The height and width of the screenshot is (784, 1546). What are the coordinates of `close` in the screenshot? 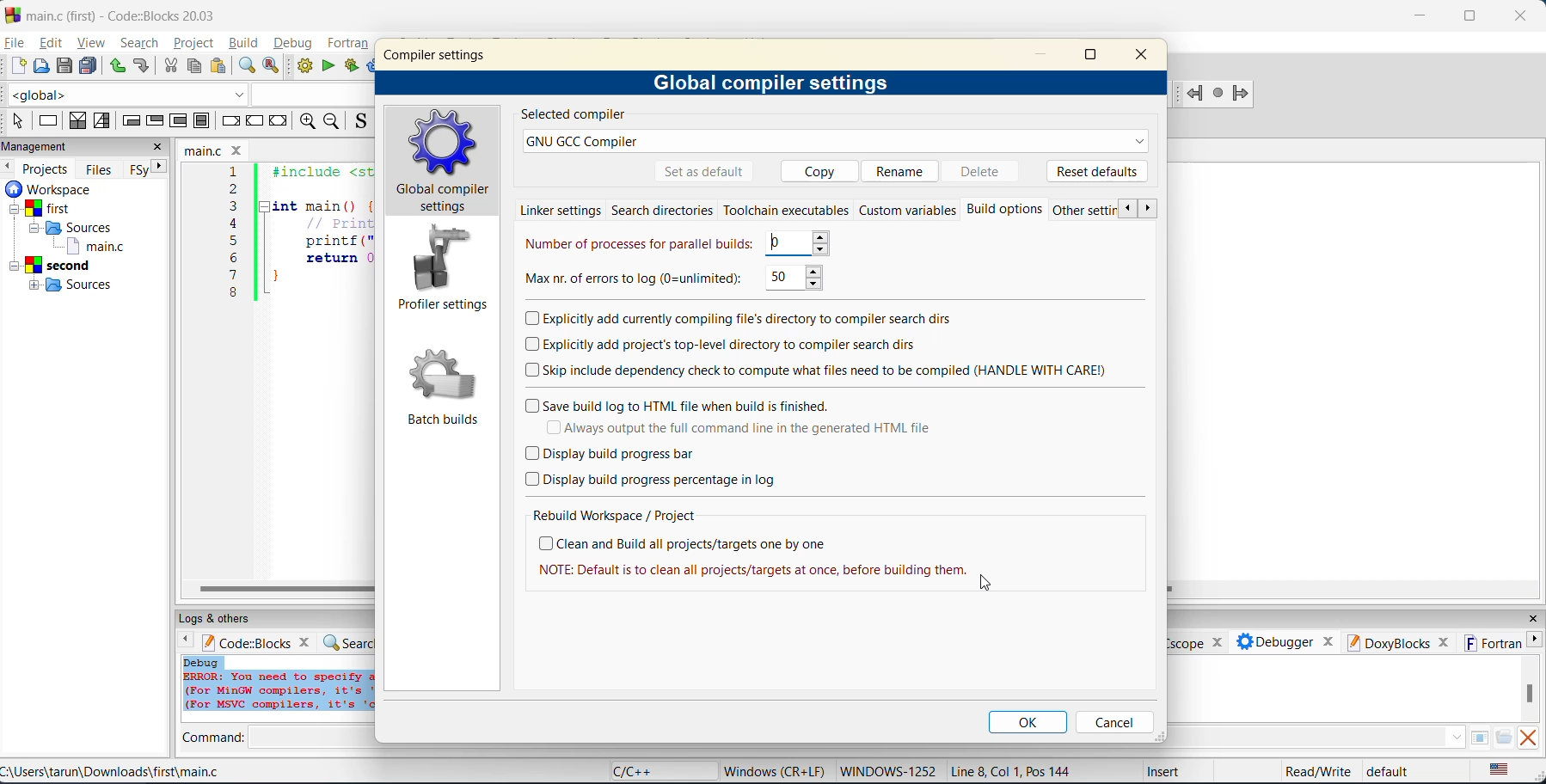 It's located at (158, 148).